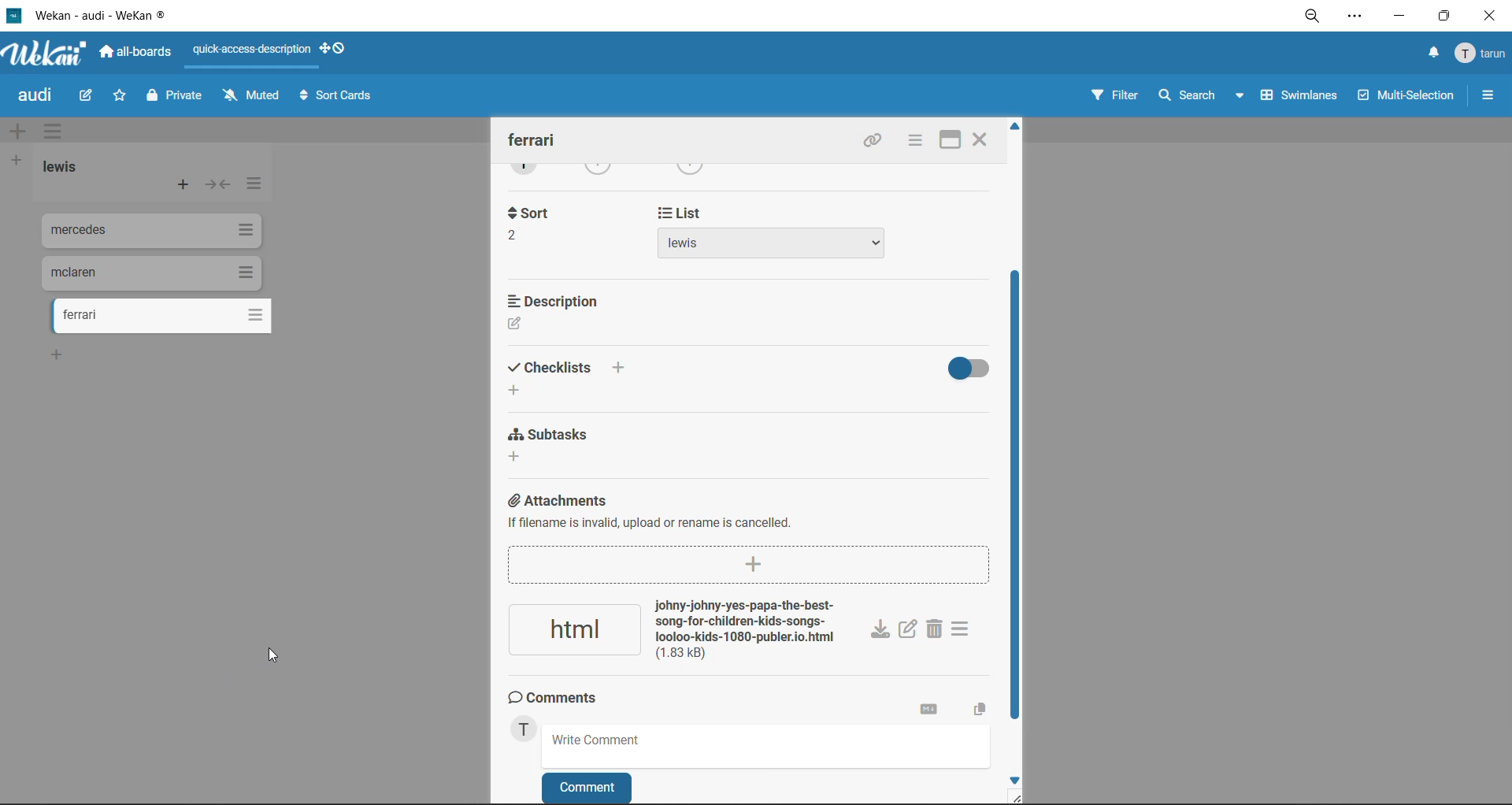  I want to click on copy, so click(985, 707).